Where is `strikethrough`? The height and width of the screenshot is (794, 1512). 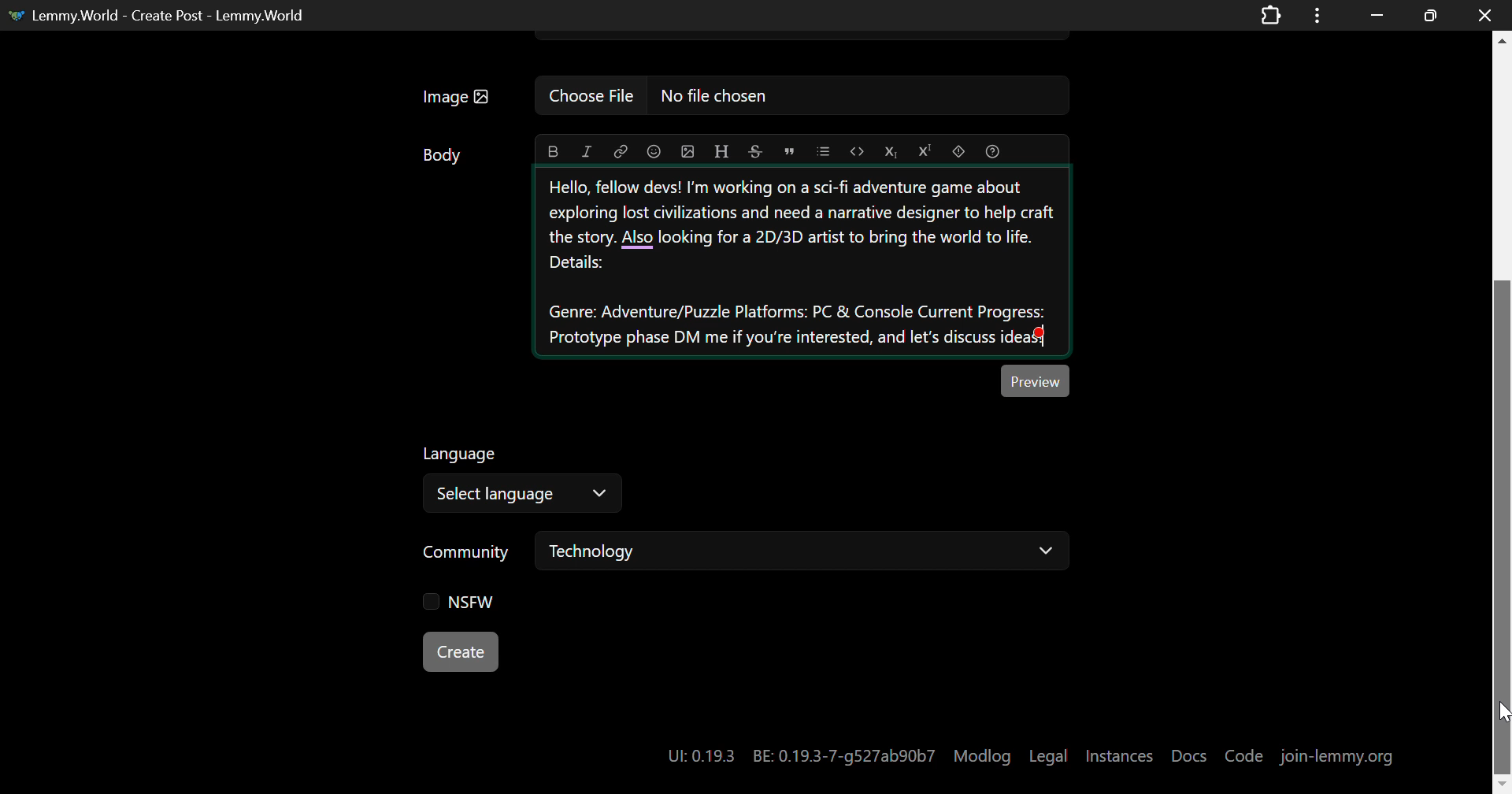
strikethrough is located at coordinates (754, 151).